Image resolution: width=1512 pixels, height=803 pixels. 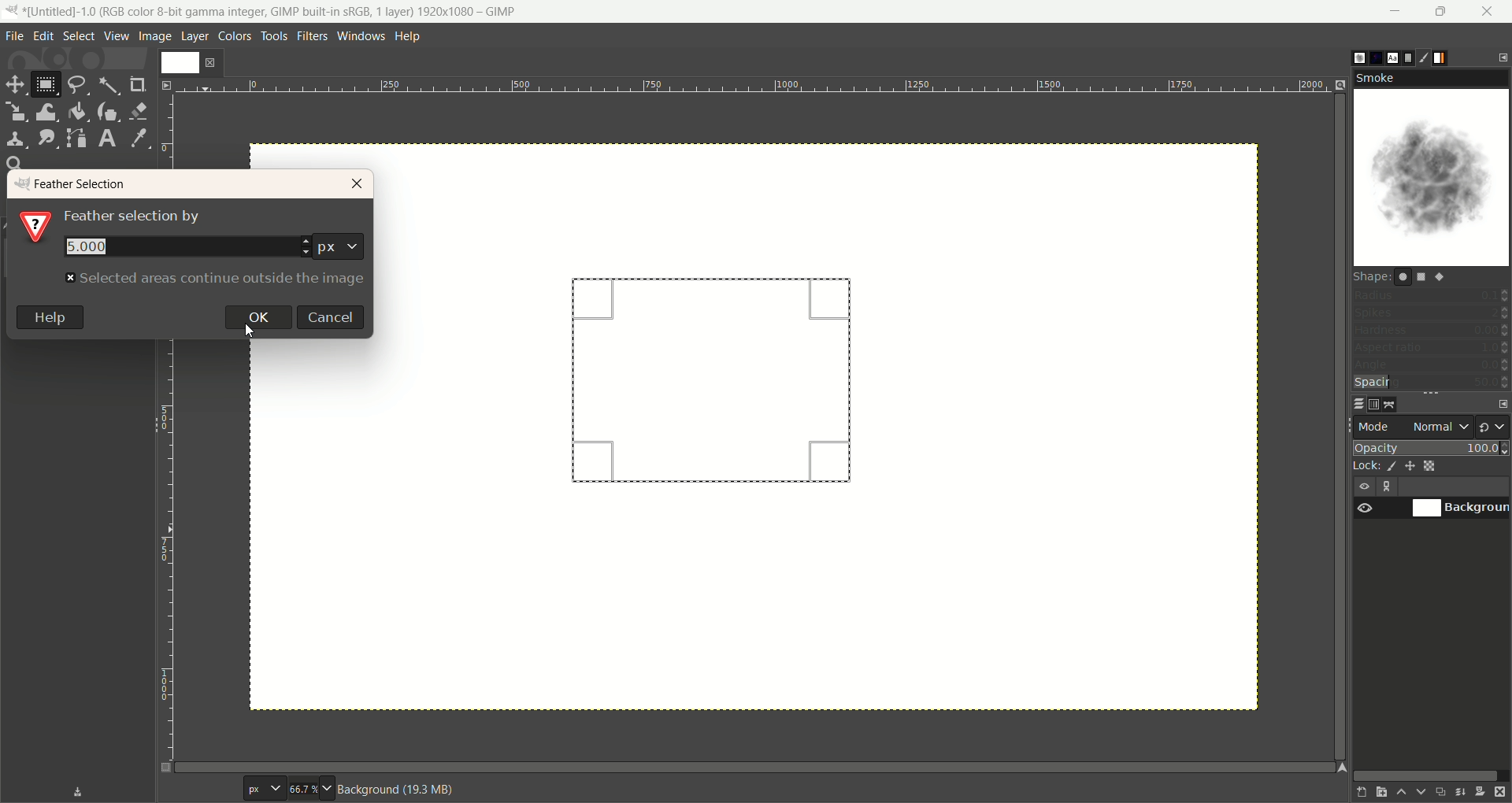 I want to click on document histor, so click(x=1405, y=57).